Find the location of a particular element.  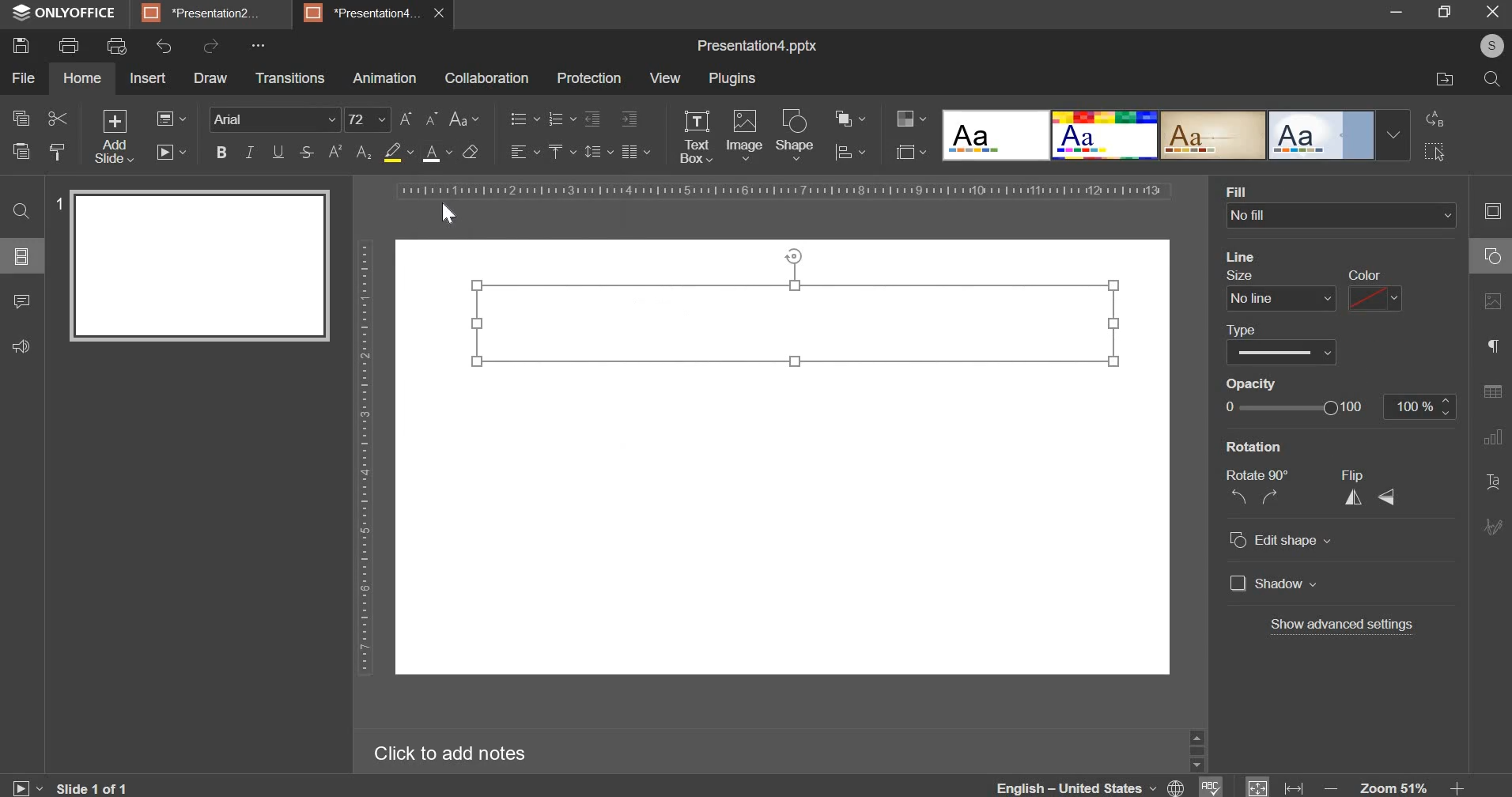

replace is located at coordinates (1438, 119).